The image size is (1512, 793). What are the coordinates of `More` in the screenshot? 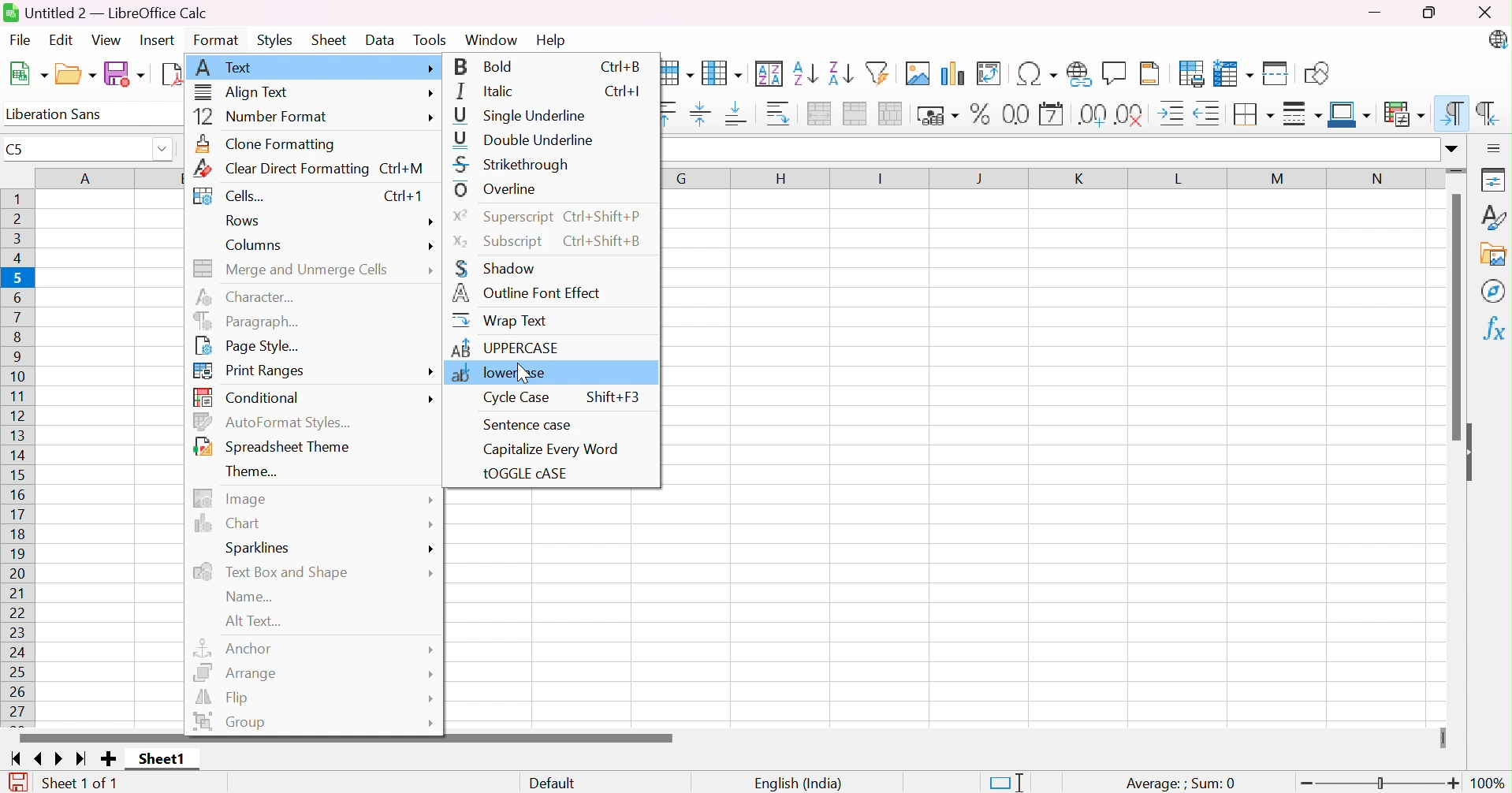 It's located at (430, 574).